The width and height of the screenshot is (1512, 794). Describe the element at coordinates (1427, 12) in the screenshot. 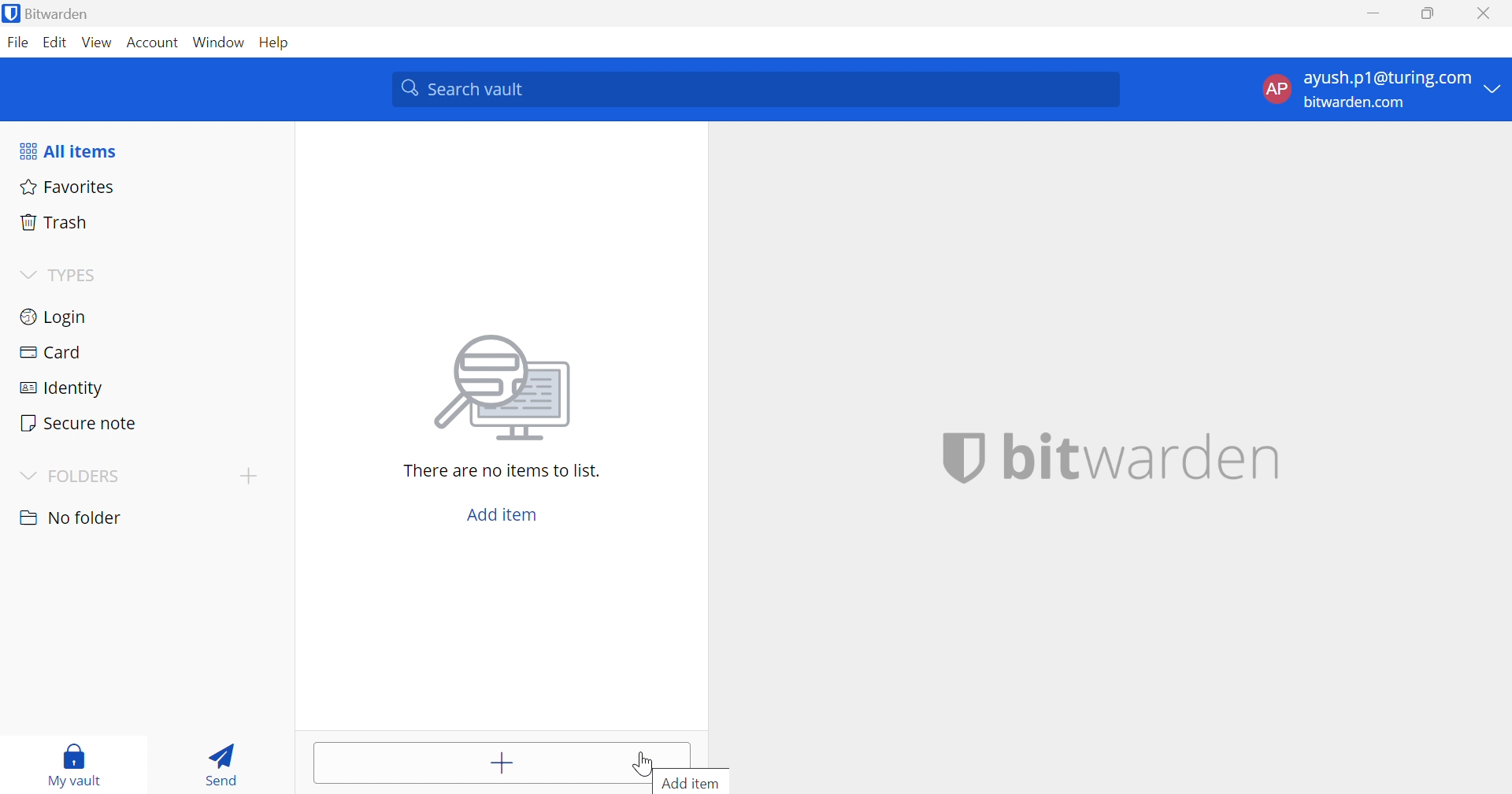

I see `Restore Down` at that location.